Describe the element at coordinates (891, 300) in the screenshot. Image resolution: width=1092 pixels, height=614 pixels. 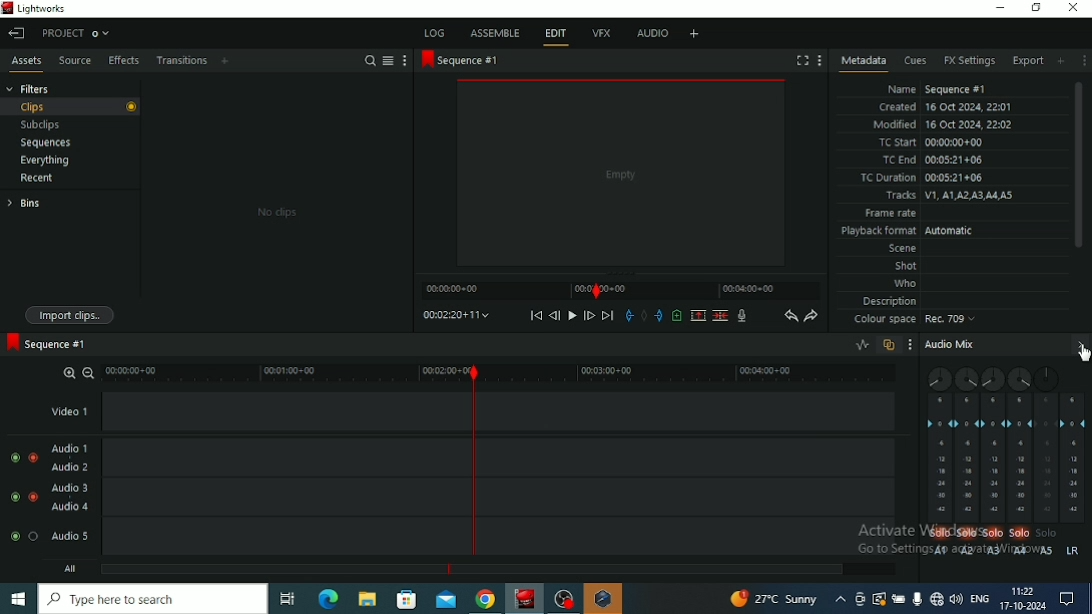
I see `Description` at that location.